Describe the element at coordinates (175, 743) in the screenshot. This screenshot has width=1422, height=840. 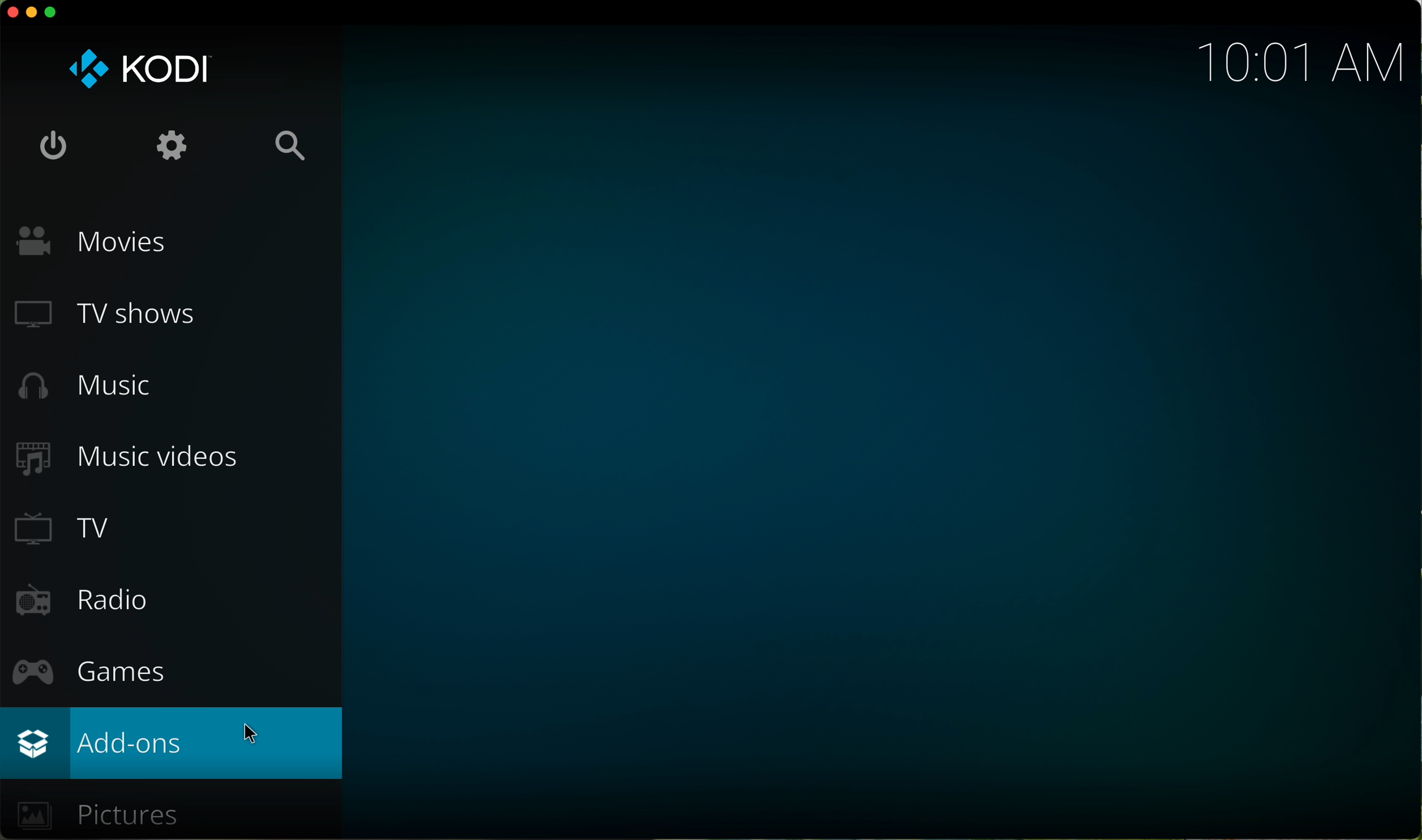
I see `click on add-ons` at that location.